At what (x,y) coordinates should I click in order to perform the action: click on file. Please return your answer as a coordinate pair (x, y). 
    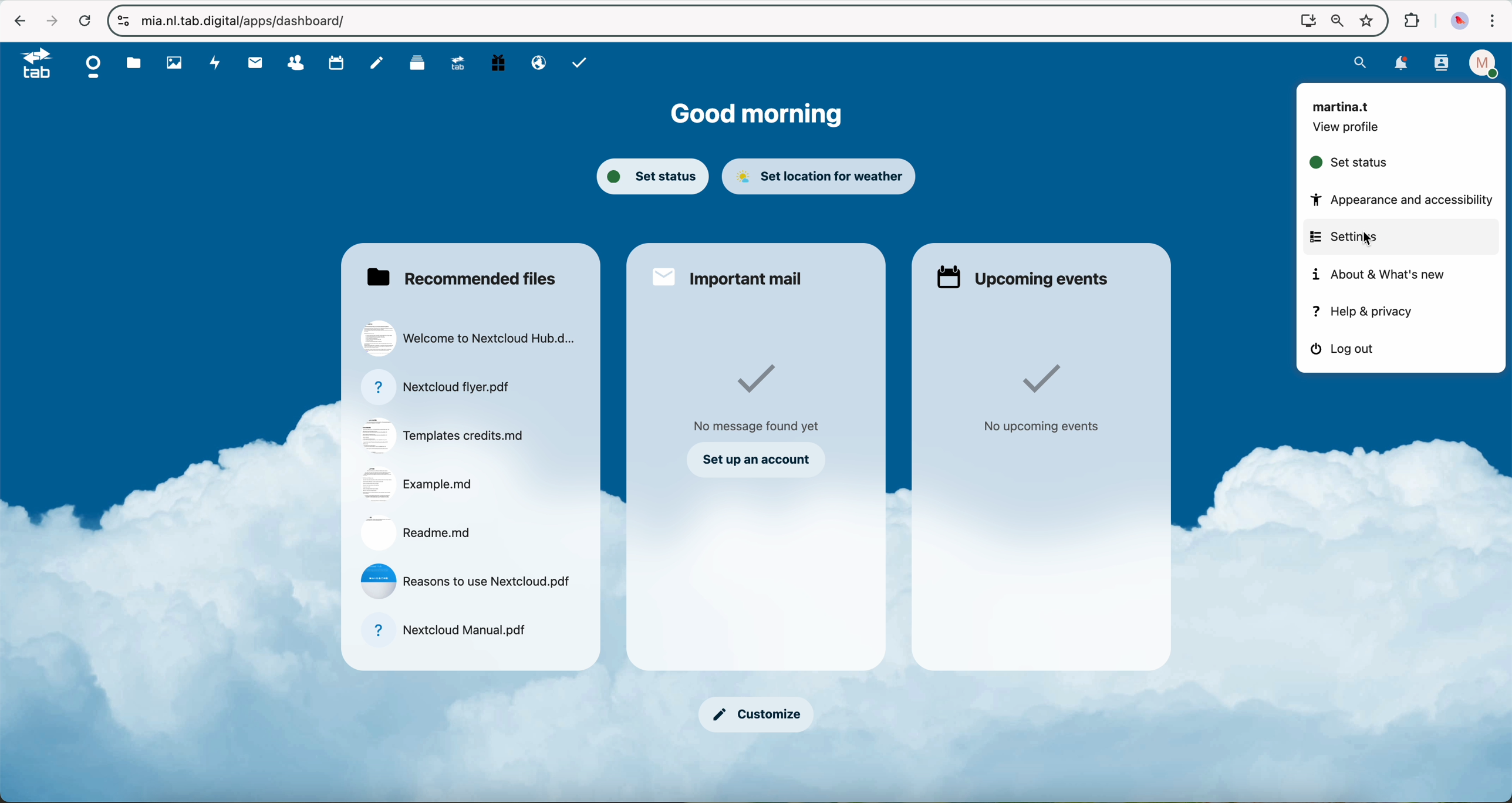
    Looking at the image, I should click on (468, 336).